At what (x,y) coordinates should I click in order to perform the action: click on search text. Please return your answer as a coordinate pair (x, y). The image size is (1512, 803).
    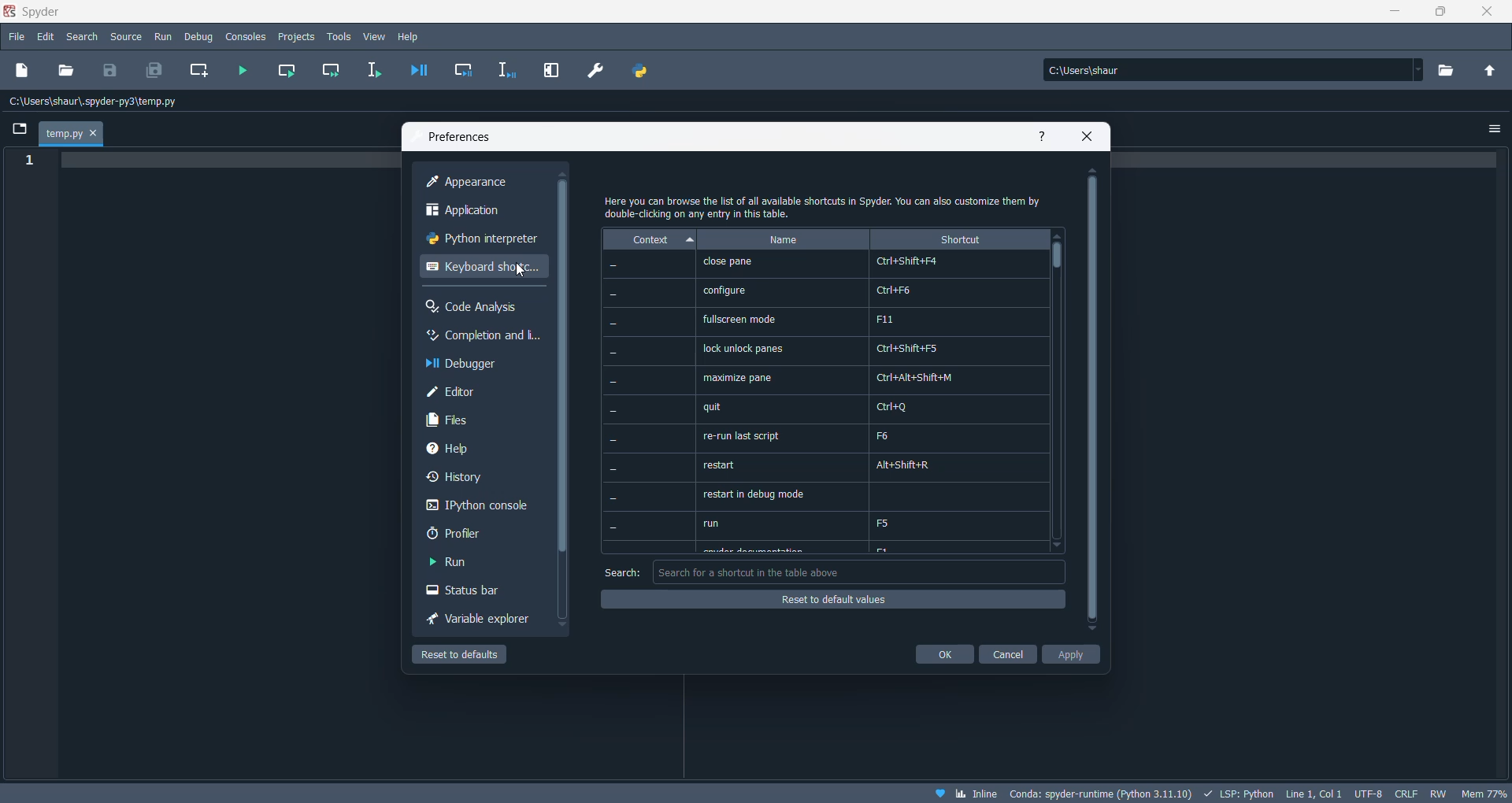
    Looking at the image, I should click on (617, 570).